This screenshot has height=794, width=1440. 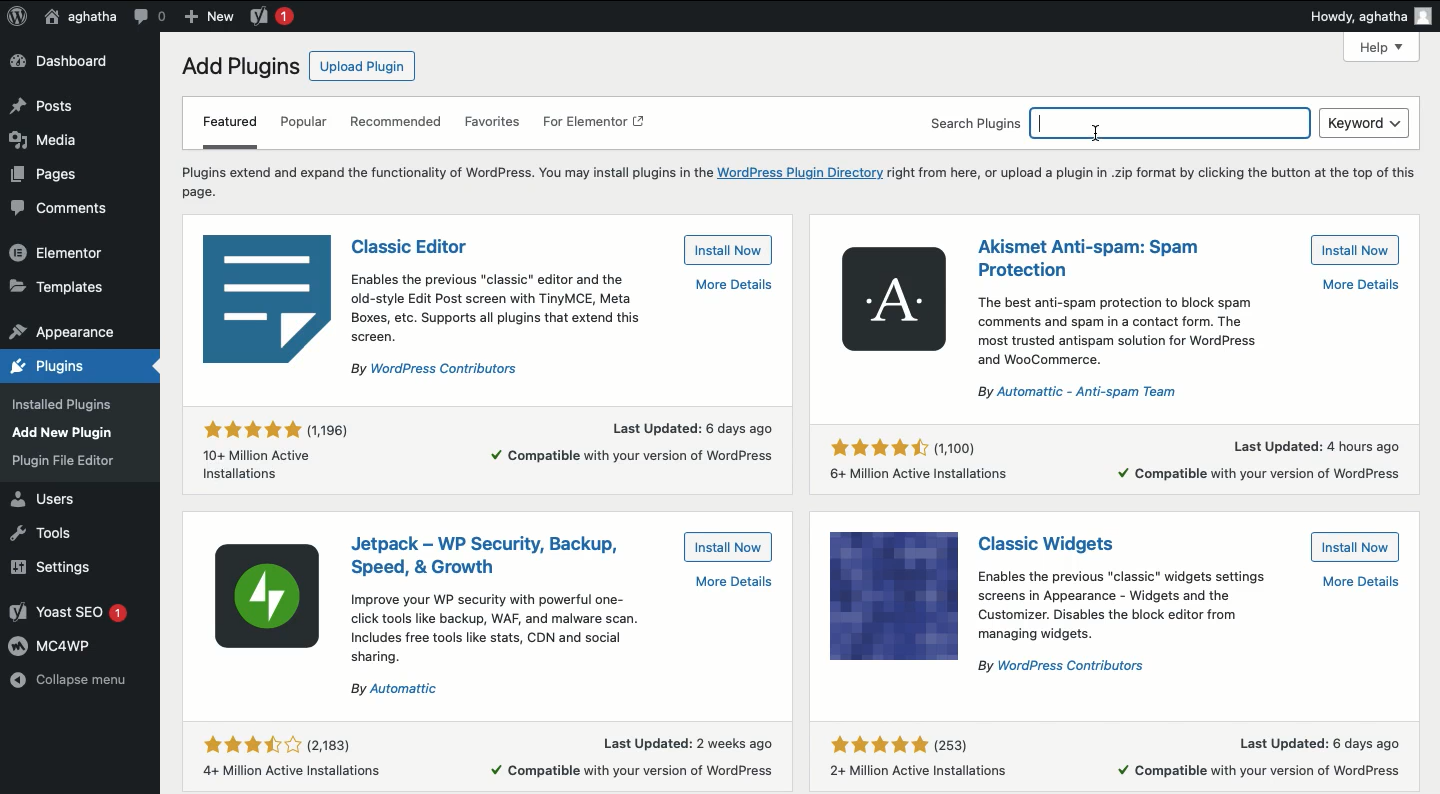 I want to click on search plugins, so click(x=970, y=120).